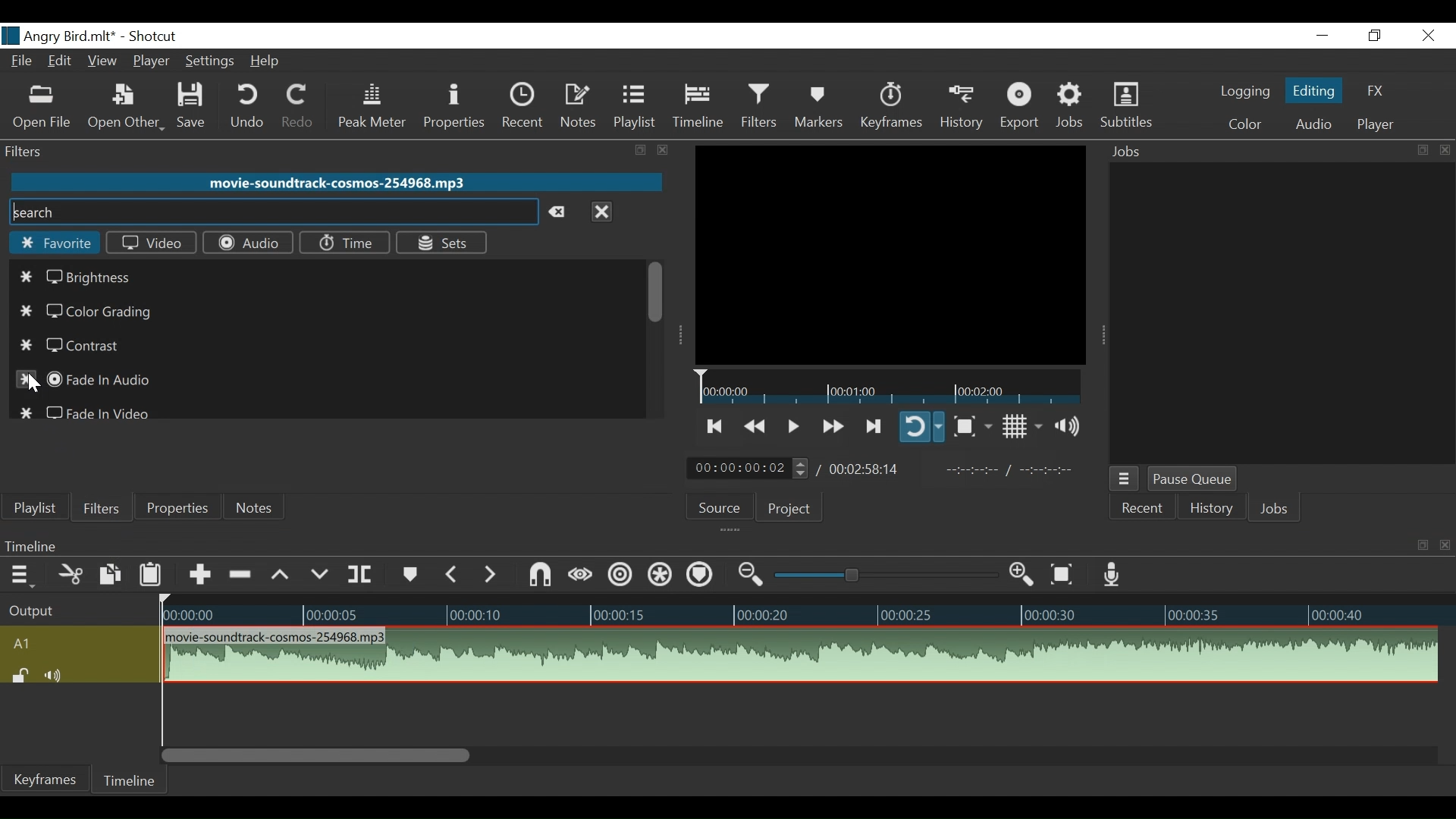  Describe the element at coordinates (792, 423) in the screenshot. I see `Toggle play or pause (space)` at that location.